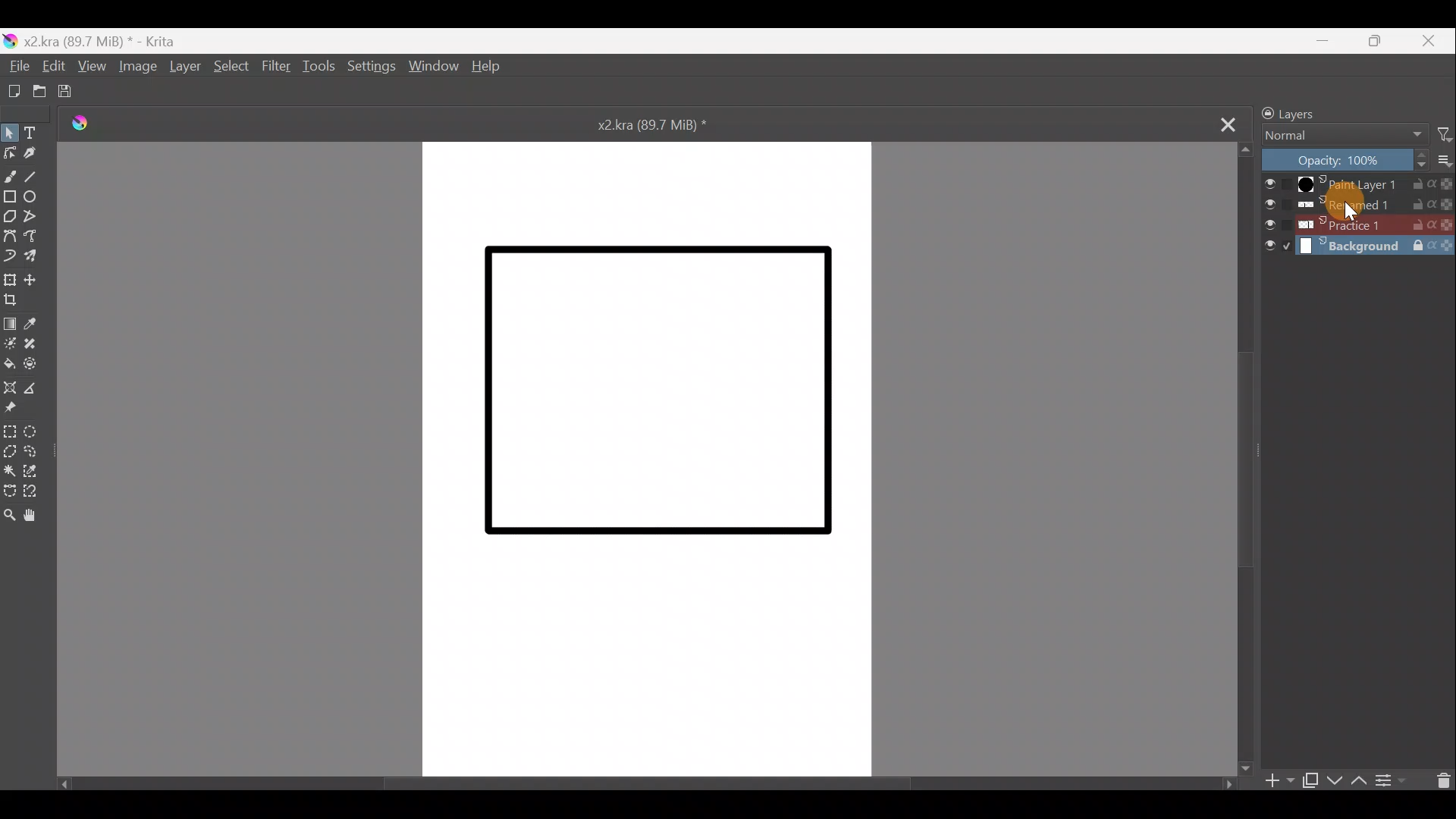 The height and width of the screenshot is (819, 1456). Describe the element at coordinates (1439, 779) in the screenshot. I see `Delete layer/mask` at that location.